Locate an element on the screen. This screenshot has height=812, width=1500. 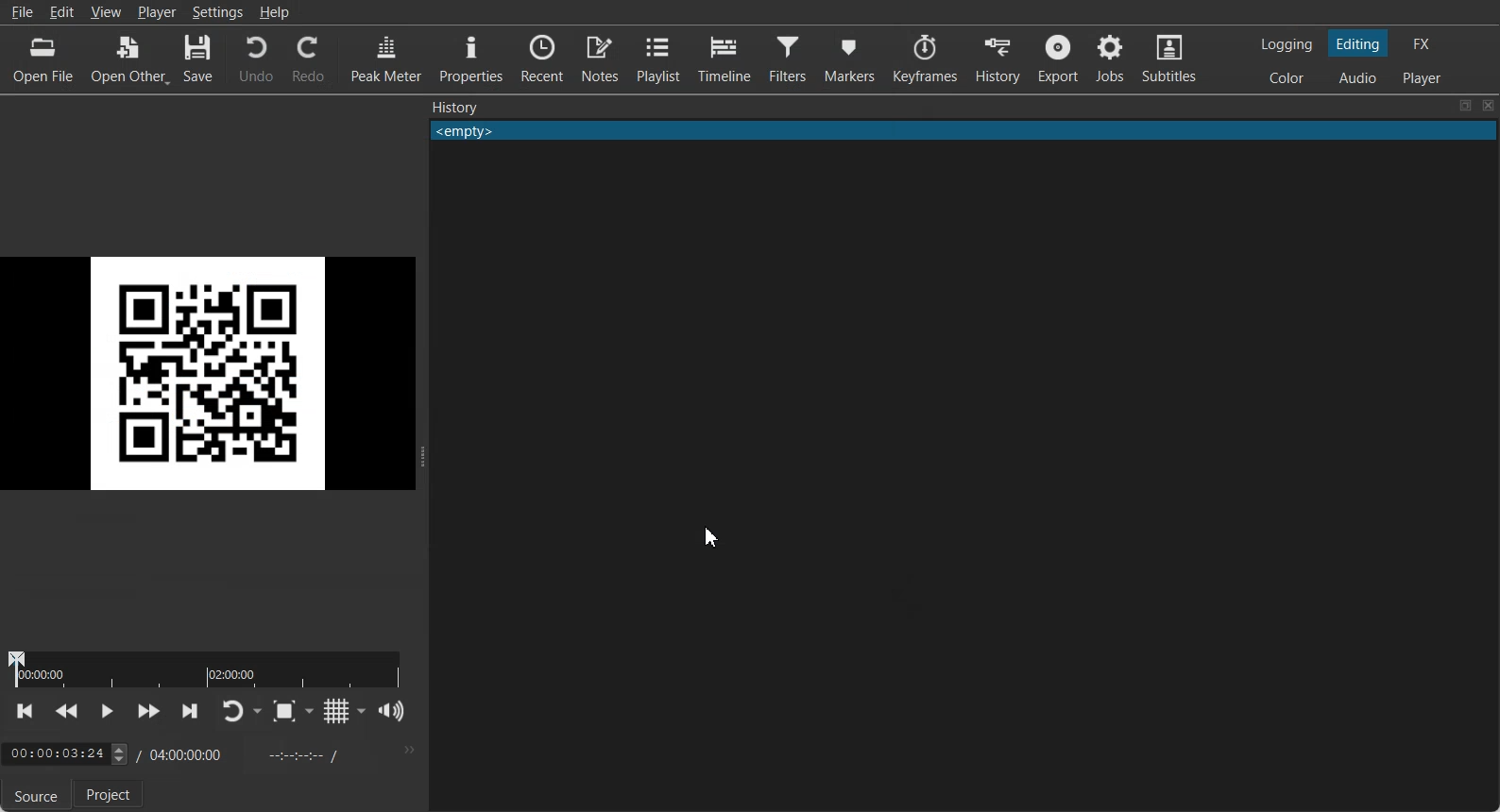
Play Quickly Backward is located at coordinates (67, 712).